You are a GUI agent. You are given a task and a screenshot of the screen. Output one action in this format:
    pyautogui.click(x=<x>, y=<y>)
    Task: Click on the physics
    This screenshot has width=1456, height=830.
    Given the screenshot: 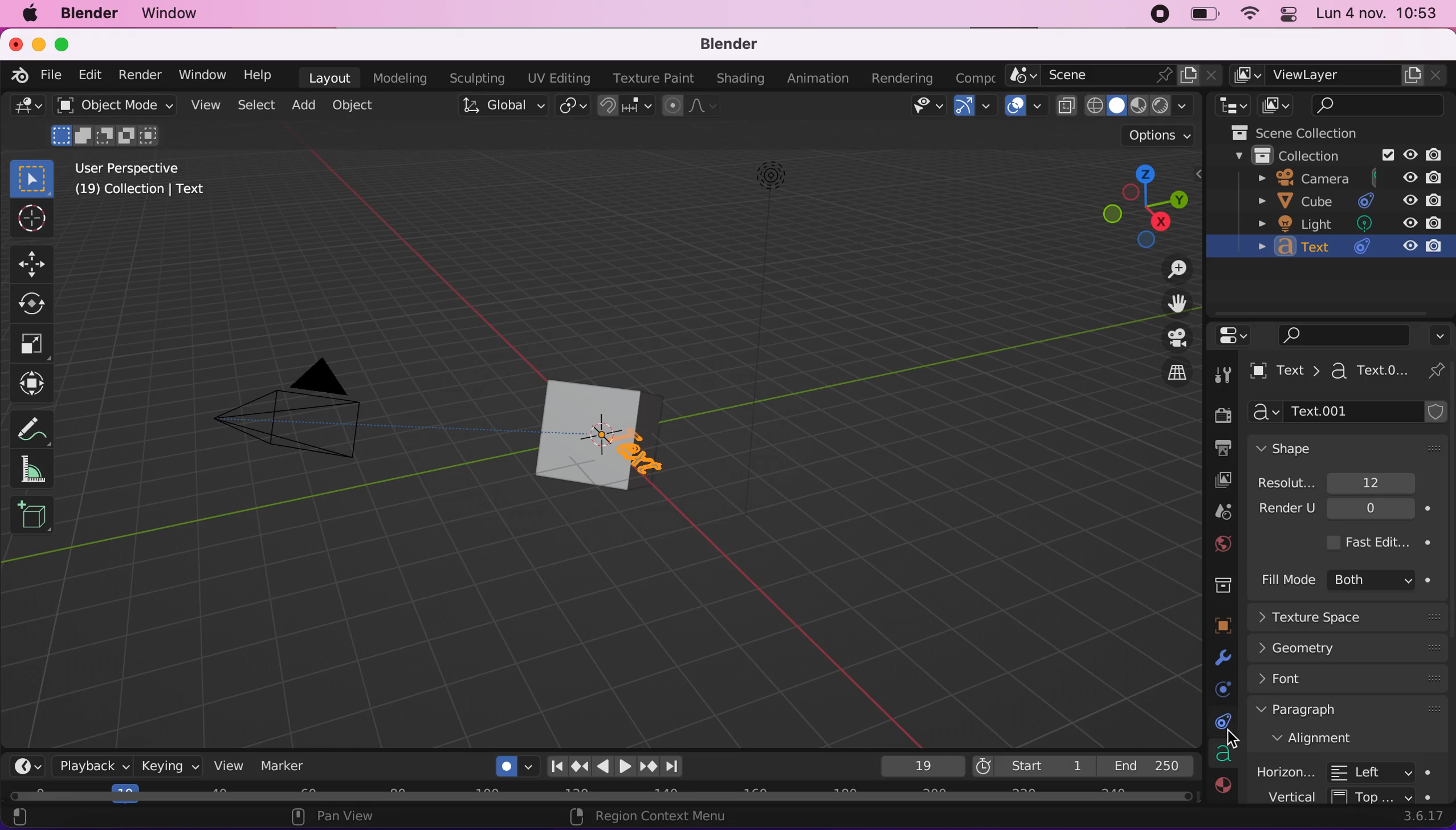 What is the action you would take?
    pyautogui.click(x=1220, y=688)
    